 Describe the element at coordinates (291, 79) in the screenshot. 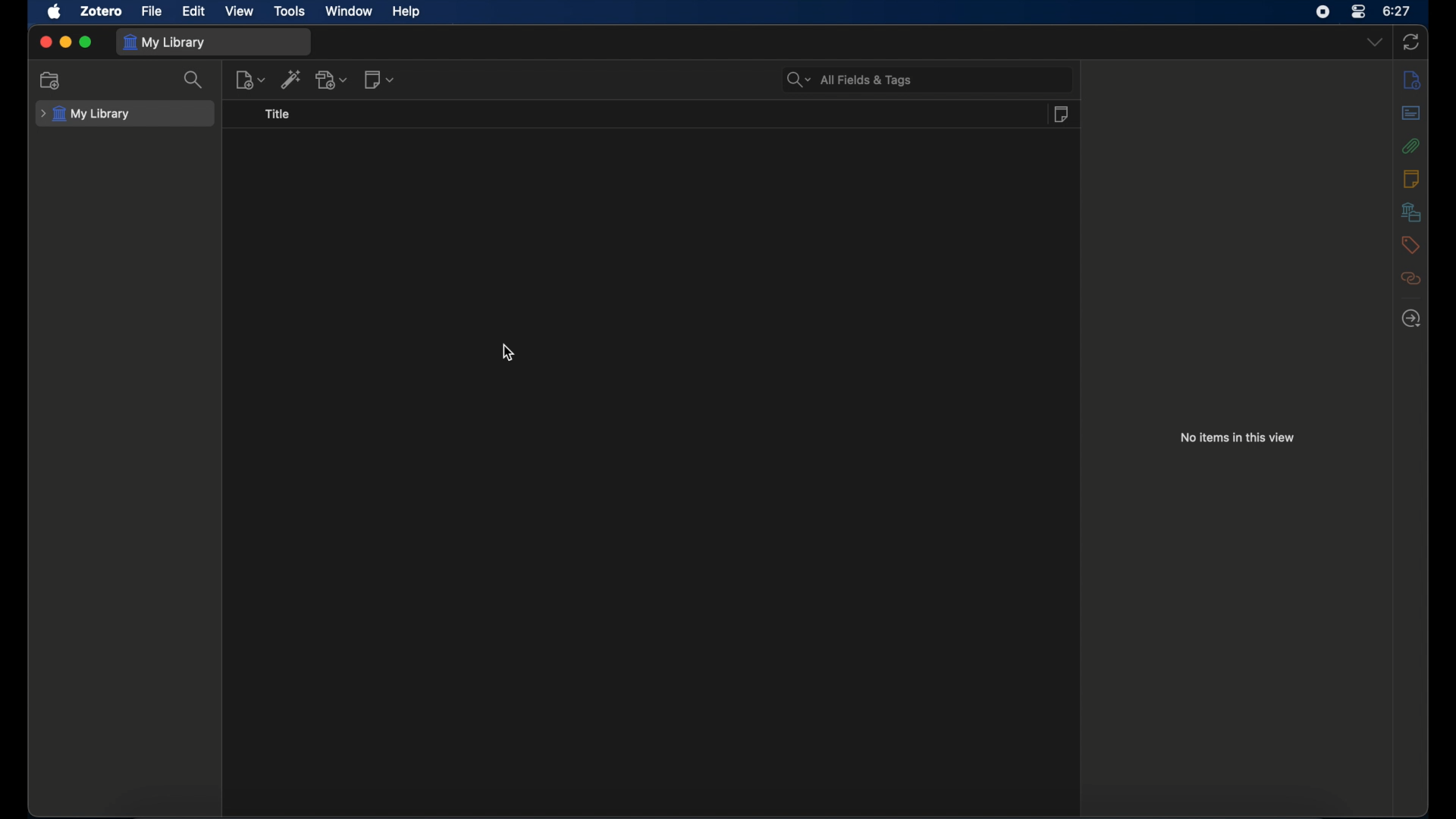

I see `add item by identifier` at that location.